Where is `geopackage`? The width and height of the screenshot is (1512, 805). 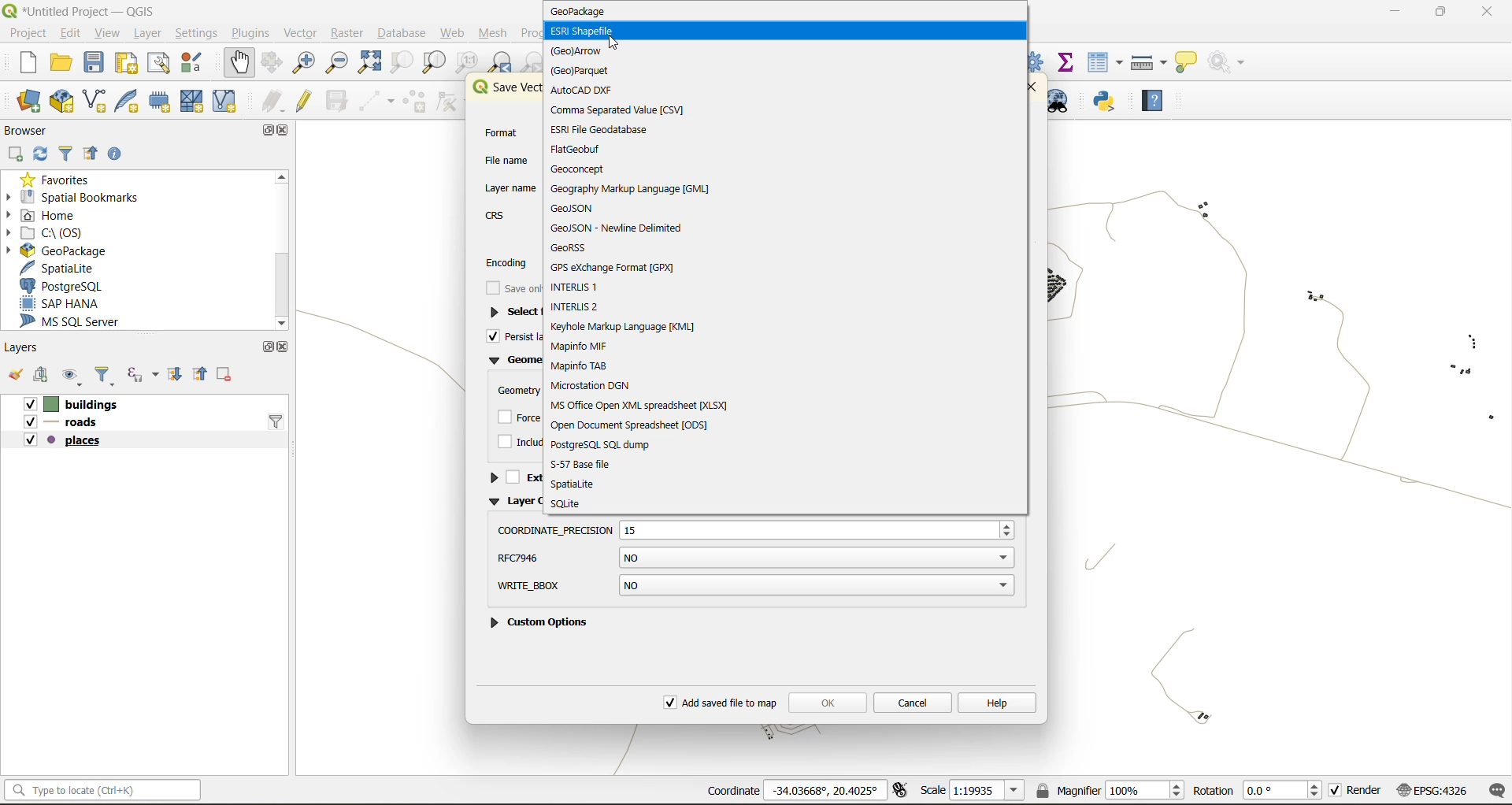
geopackage is located at coordinates (67, 252).